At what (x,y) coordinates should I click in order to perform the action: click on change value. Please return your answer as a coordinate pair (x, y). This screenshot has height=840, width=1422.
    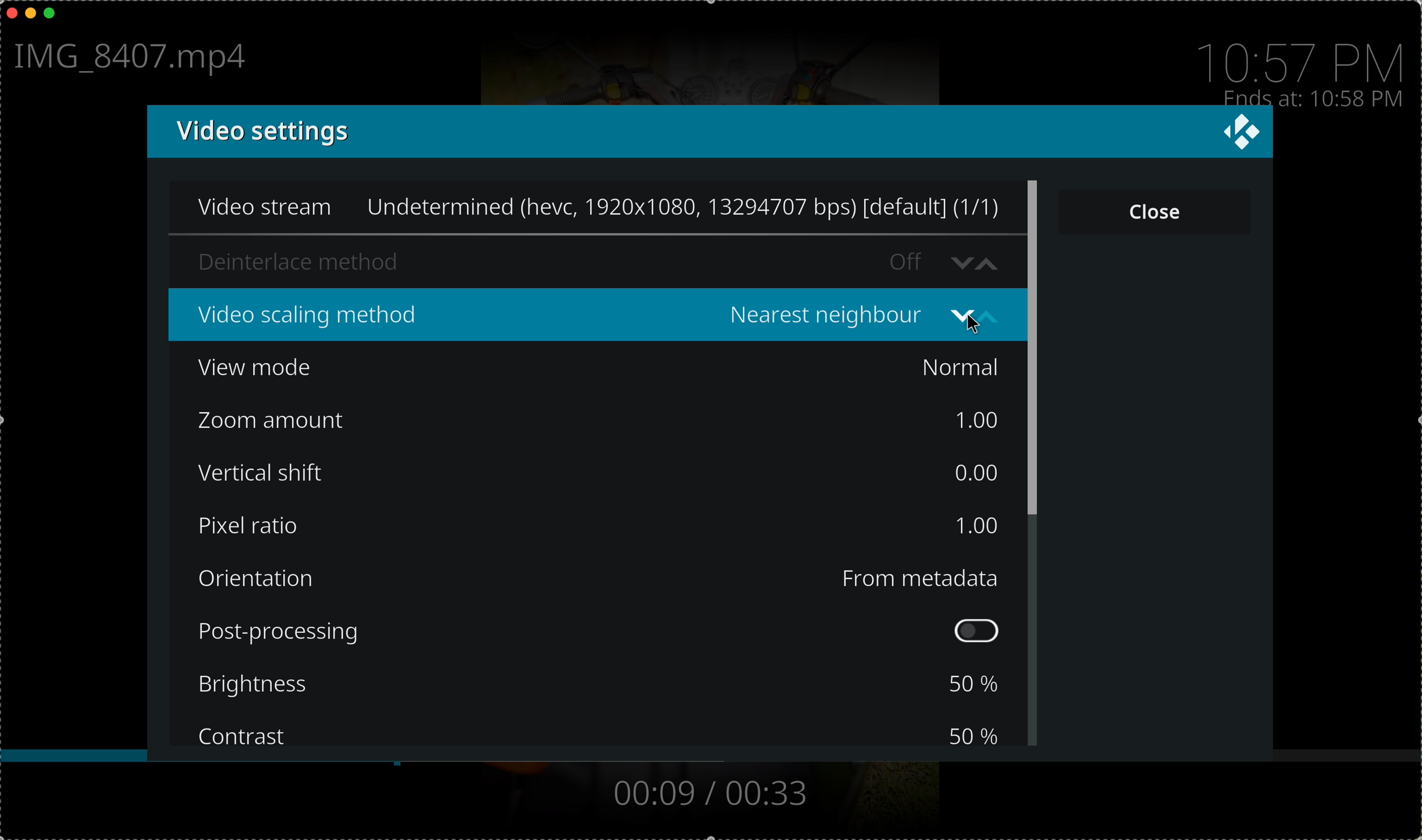
    Looking at the image, I should click on (976, 317).